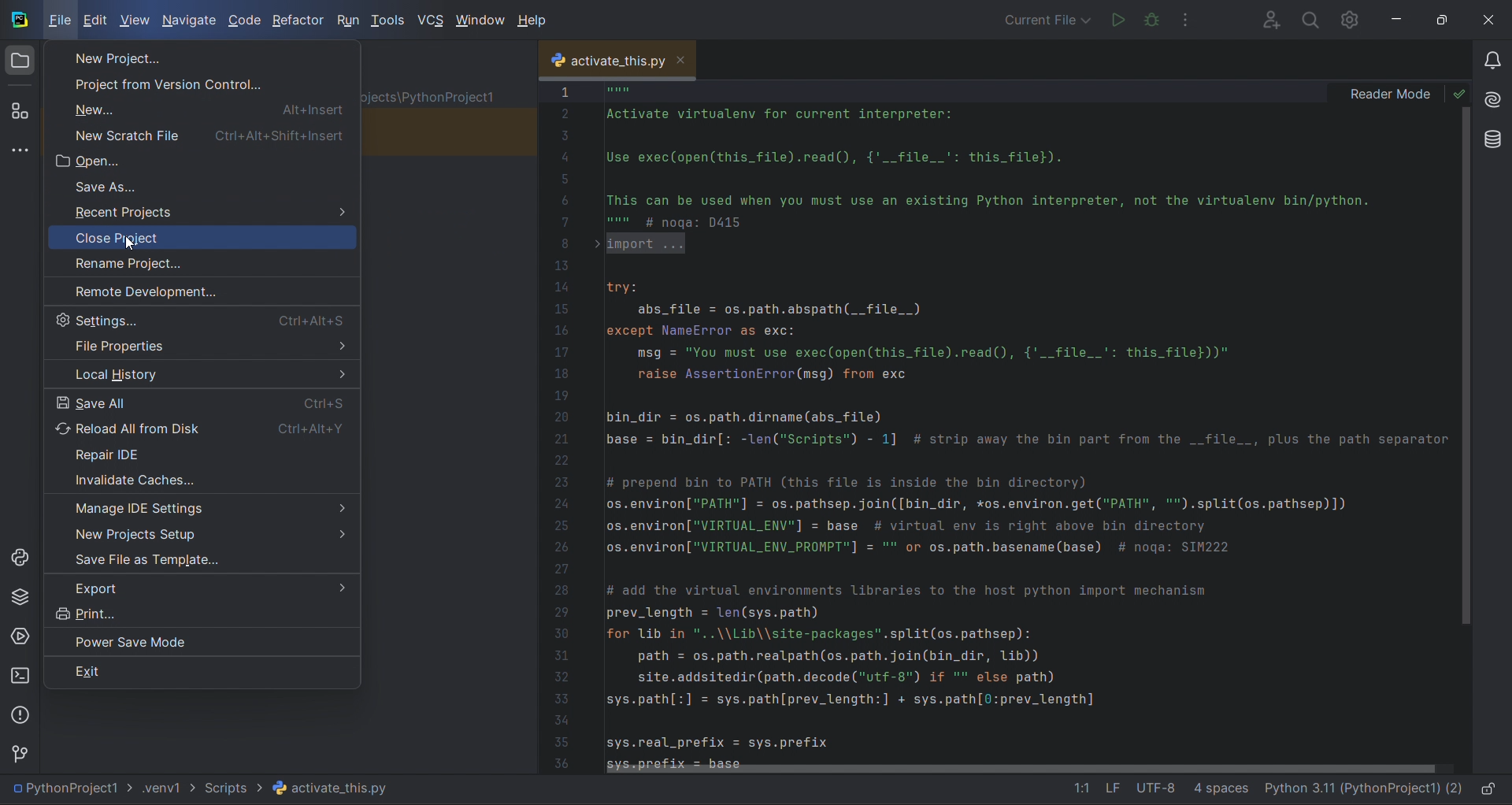  Describe the element at coordinates (202, 108) in the screenshot. I see `new` at that location.